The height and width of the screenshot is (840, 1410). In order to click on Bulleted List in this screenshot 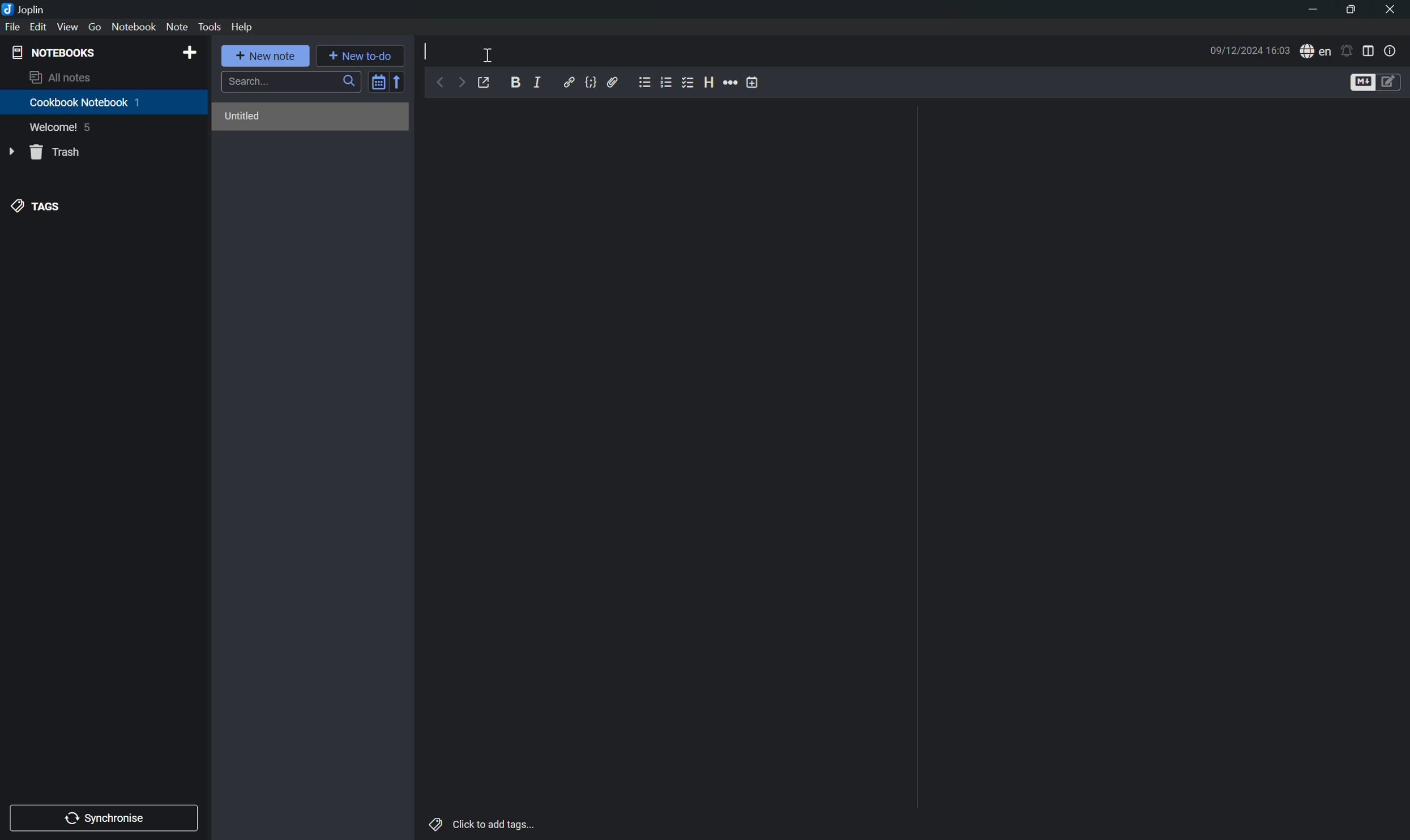, I will do `click(643, 83)`.